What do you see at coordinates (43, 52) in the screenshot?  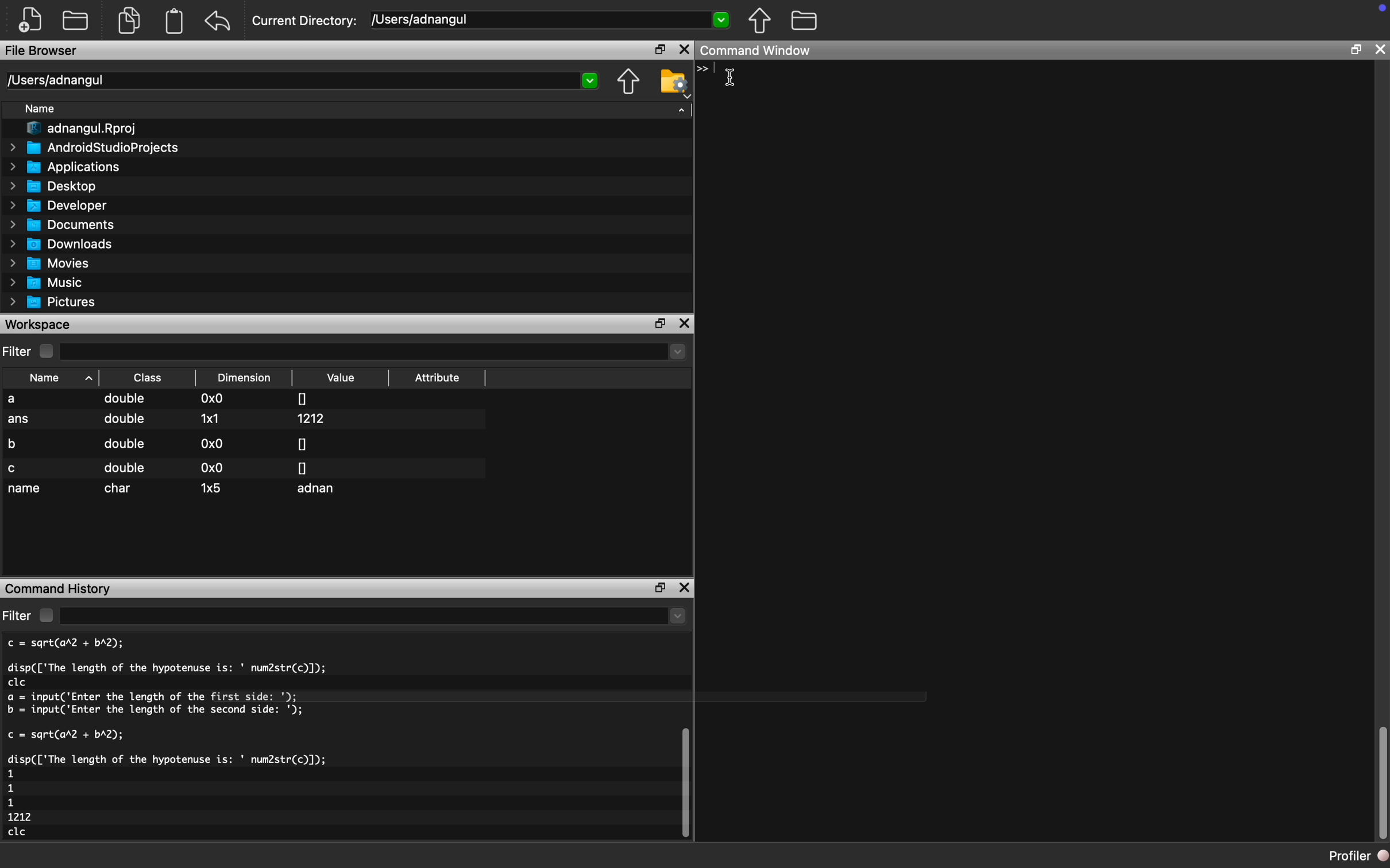 I see `File Browser` at bounding box center [43, 52].